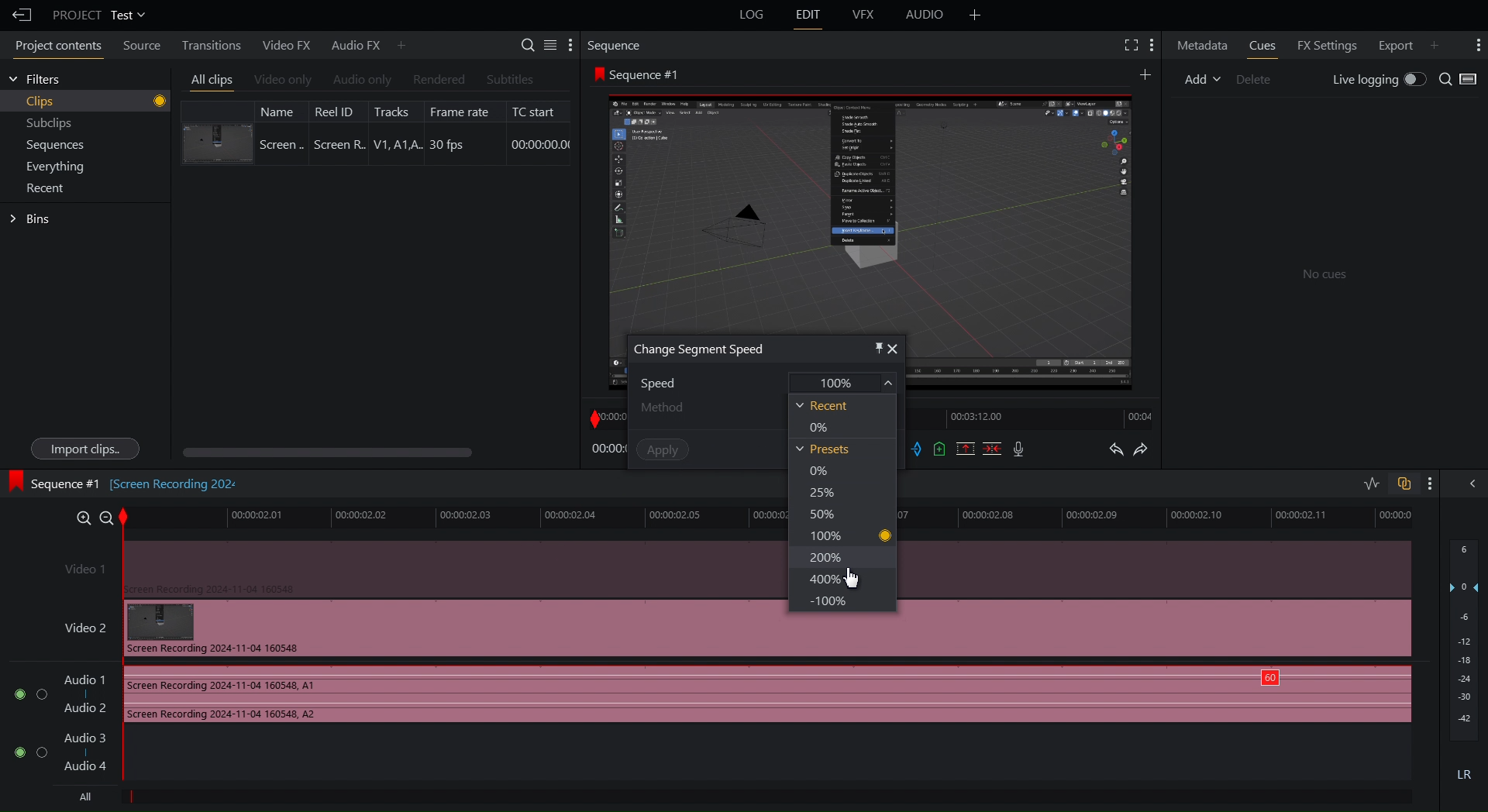 The image size is (1488, 812). Describe the element at coordinates (361, 81) in the screenshot. I see `Audio Only` at that location.